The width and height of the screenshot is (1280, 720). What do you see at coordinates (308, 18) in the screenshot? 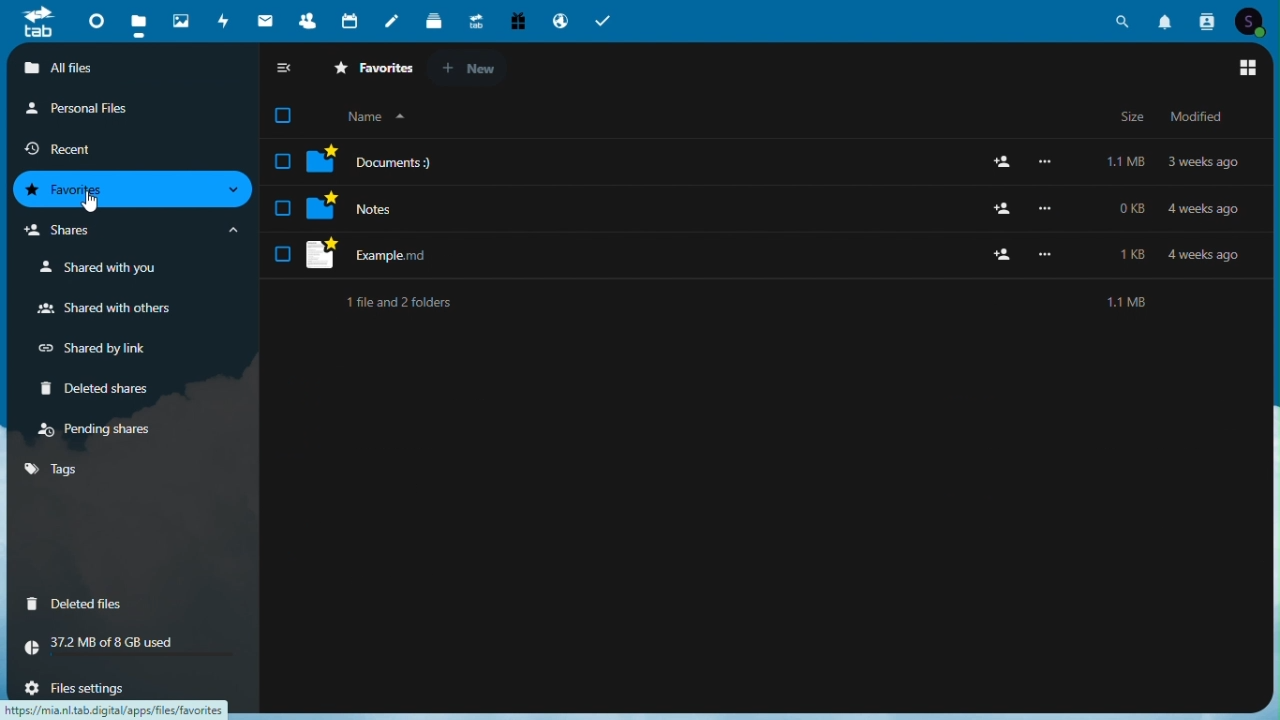
I see `Contacts` at bounding box center [308, 18].